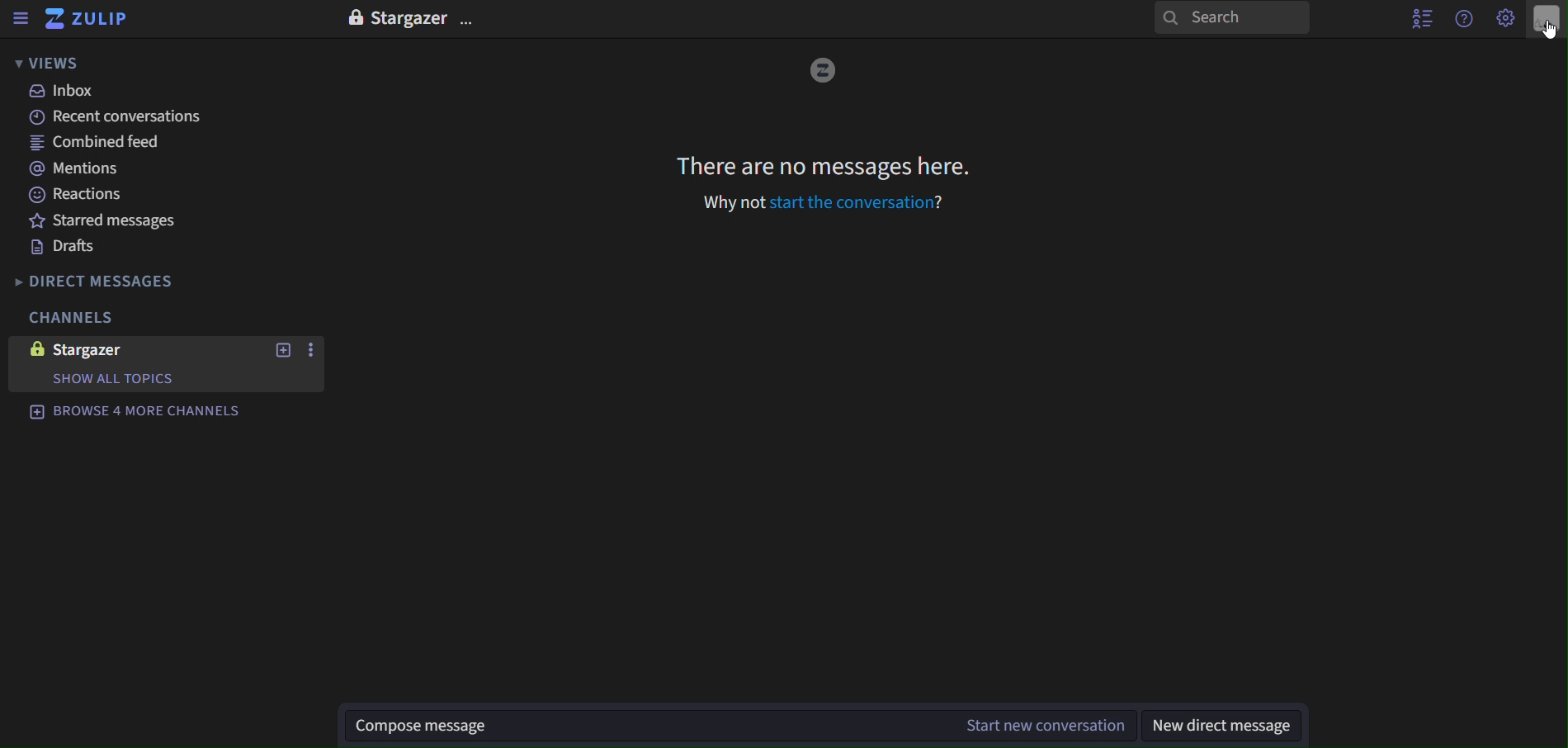 This screenshot has height=748, width=1568. What do you see at coordinates (116, 116) in the screenshot?
I see `recent canversations` at bounding box center [116, 116].